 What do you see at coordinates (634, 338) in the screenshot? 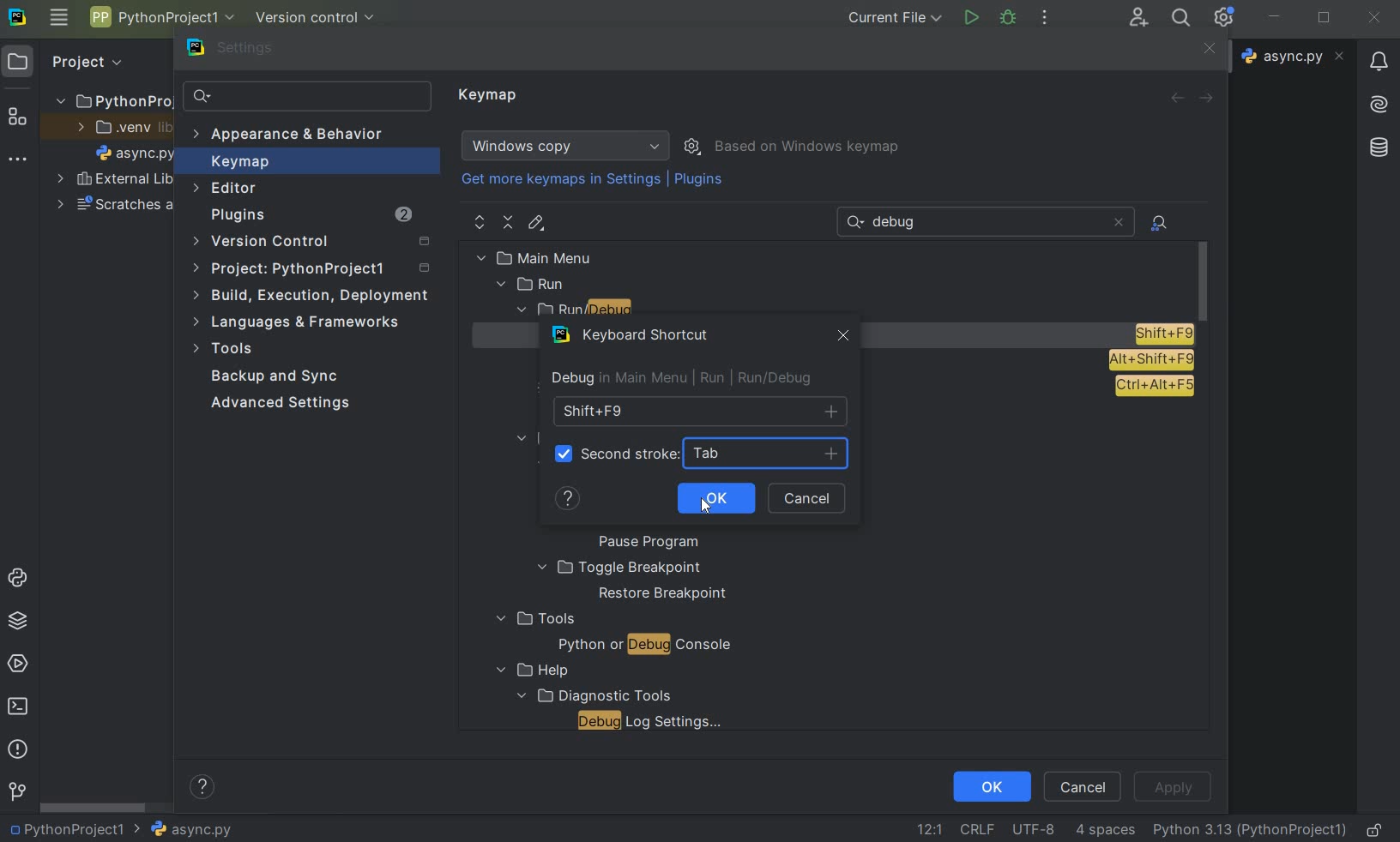
I see `keyboard shortcut` at bounding box center [634, 338].